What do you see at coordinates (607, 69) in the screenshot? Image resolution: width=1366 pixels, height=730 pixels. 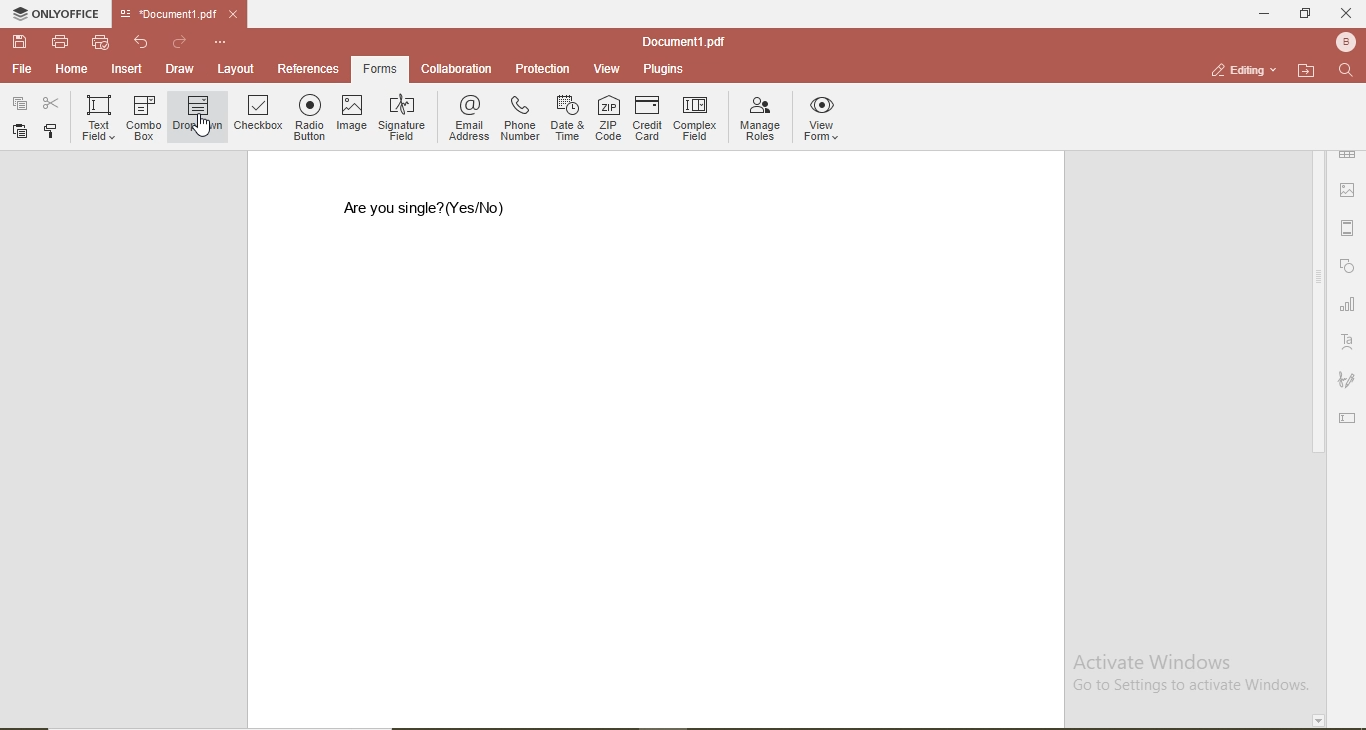 I see `view` at bounding box center [607, 69].